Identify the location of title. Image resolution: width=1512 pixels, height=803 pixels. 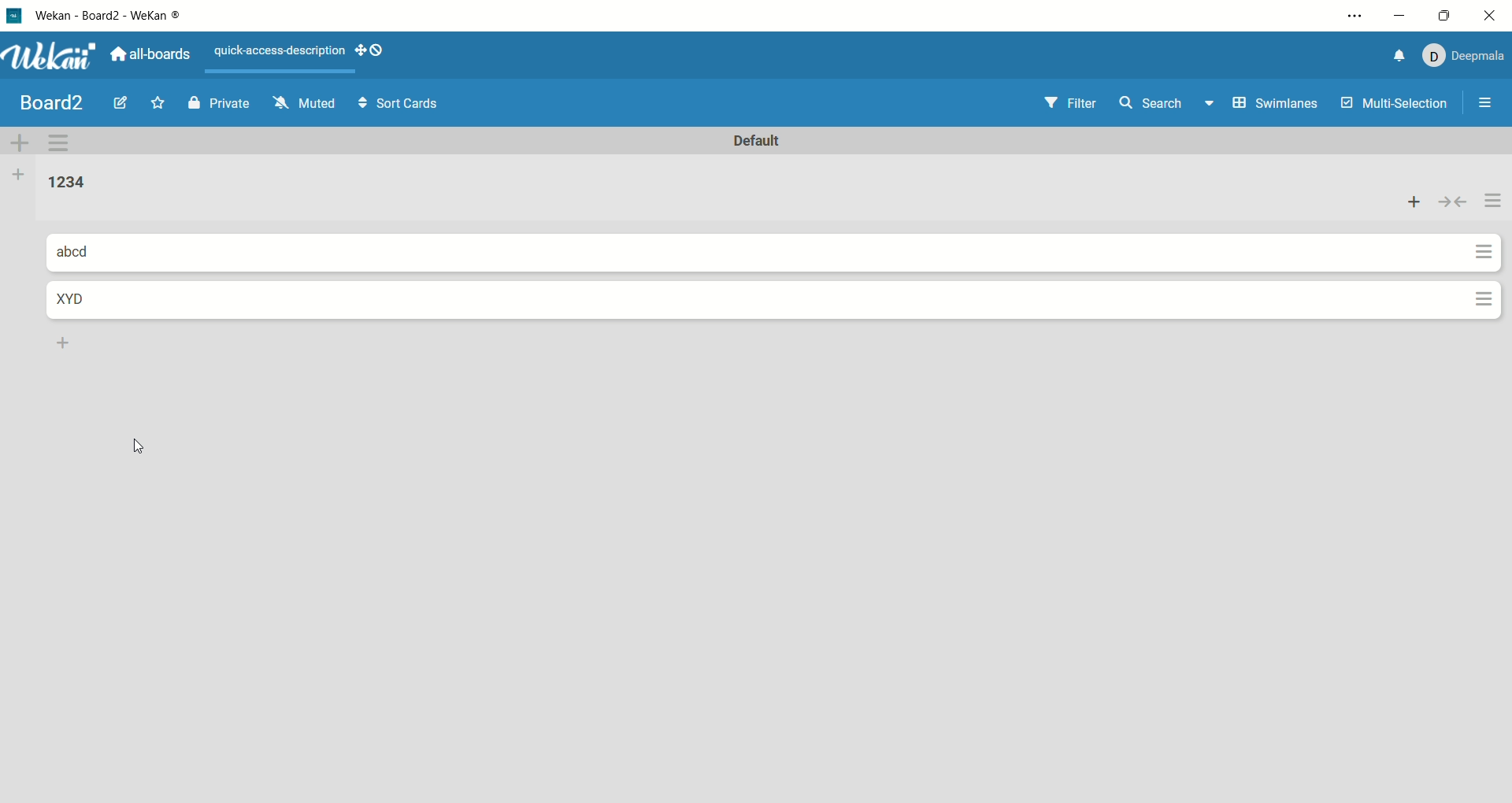
(46, 102).